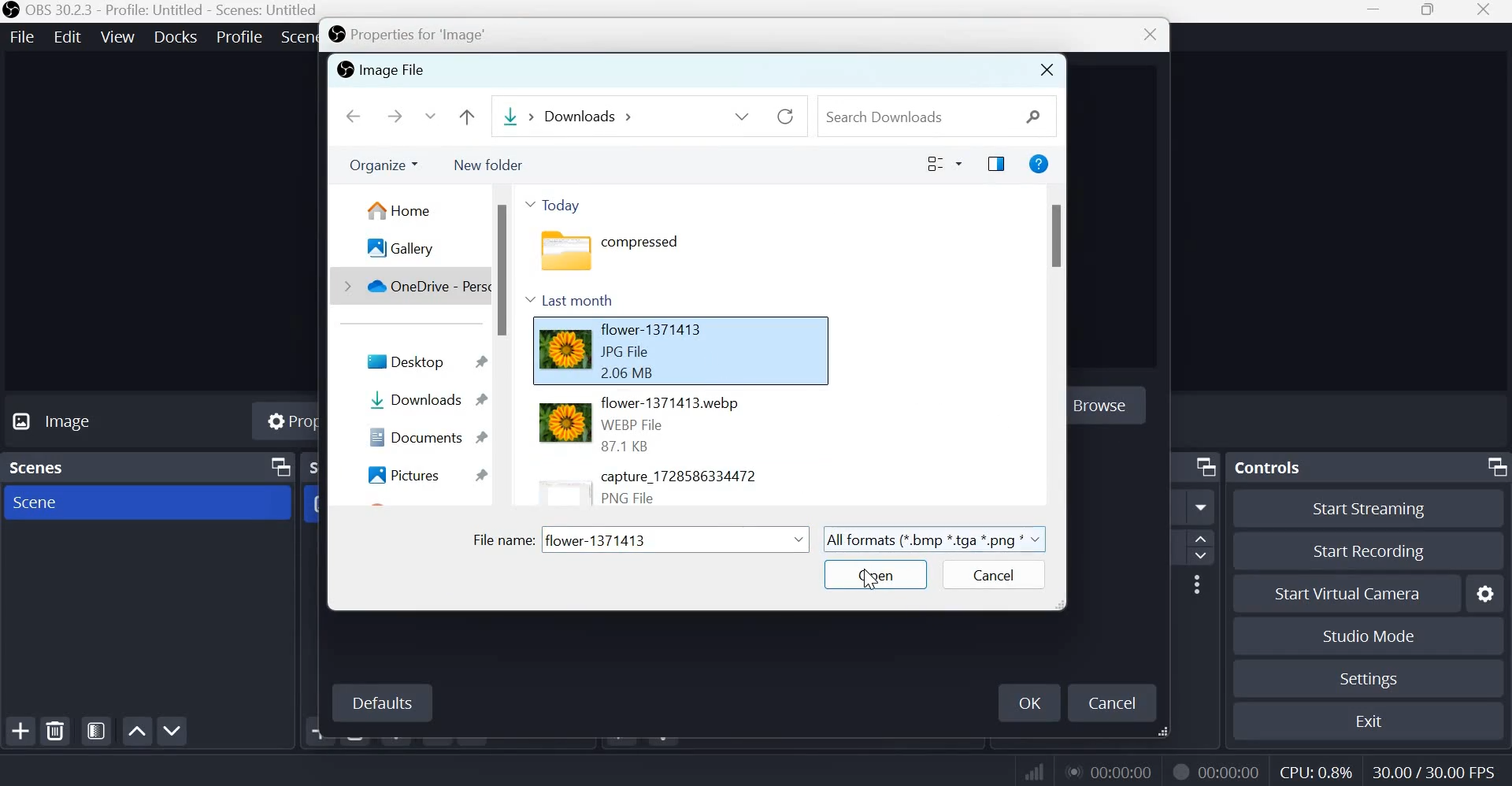  What do you see at coordinates (1206, 467) in the screenshot?
I see `Dock Options icon` at bounding box center [1206, 467].